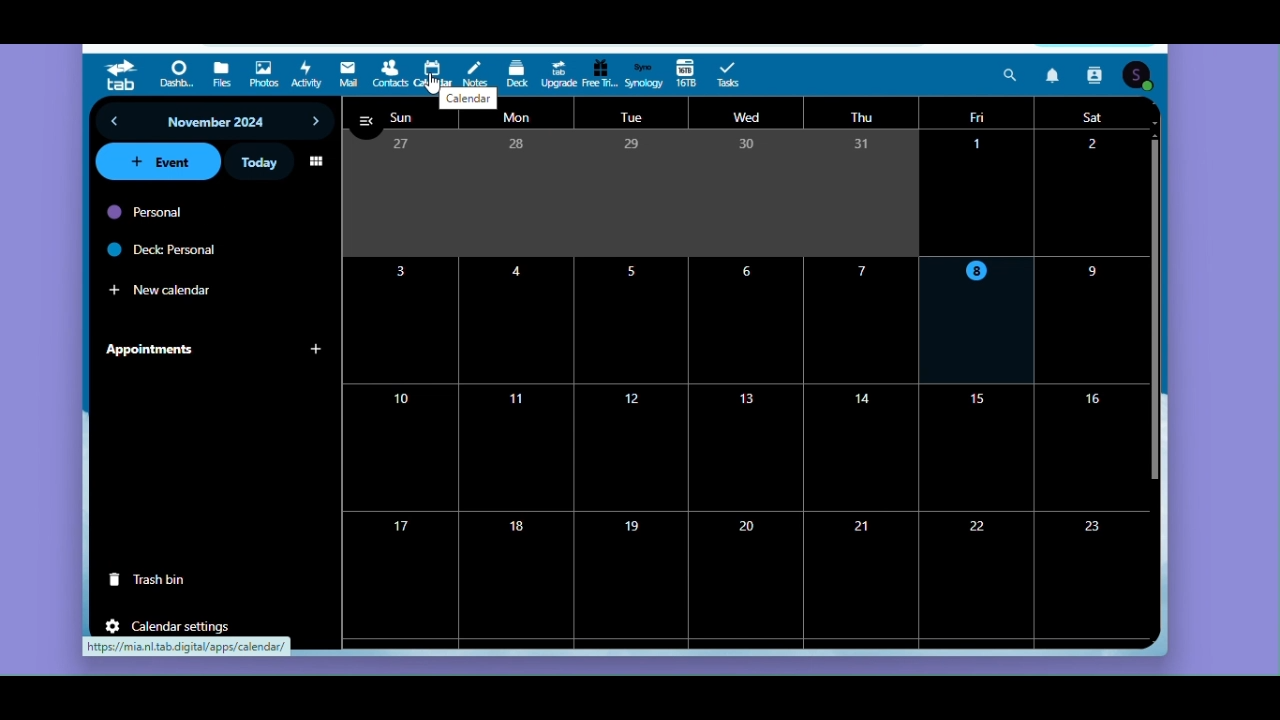  I want to click on Contacts, so click(389, 76).